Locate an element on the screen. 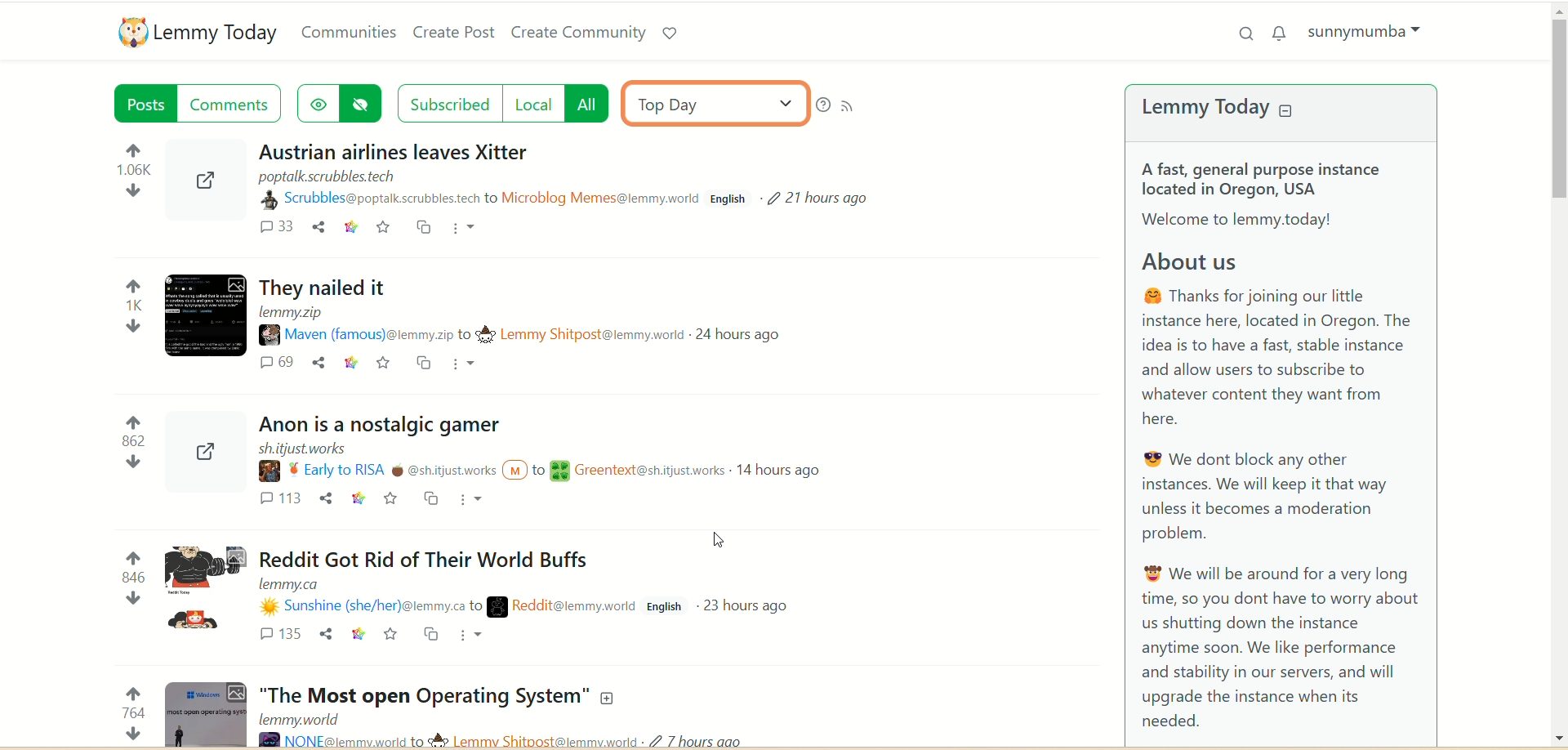 This screenshot has height=750, width=1568. subscribed is located at coordinates (448, 101).